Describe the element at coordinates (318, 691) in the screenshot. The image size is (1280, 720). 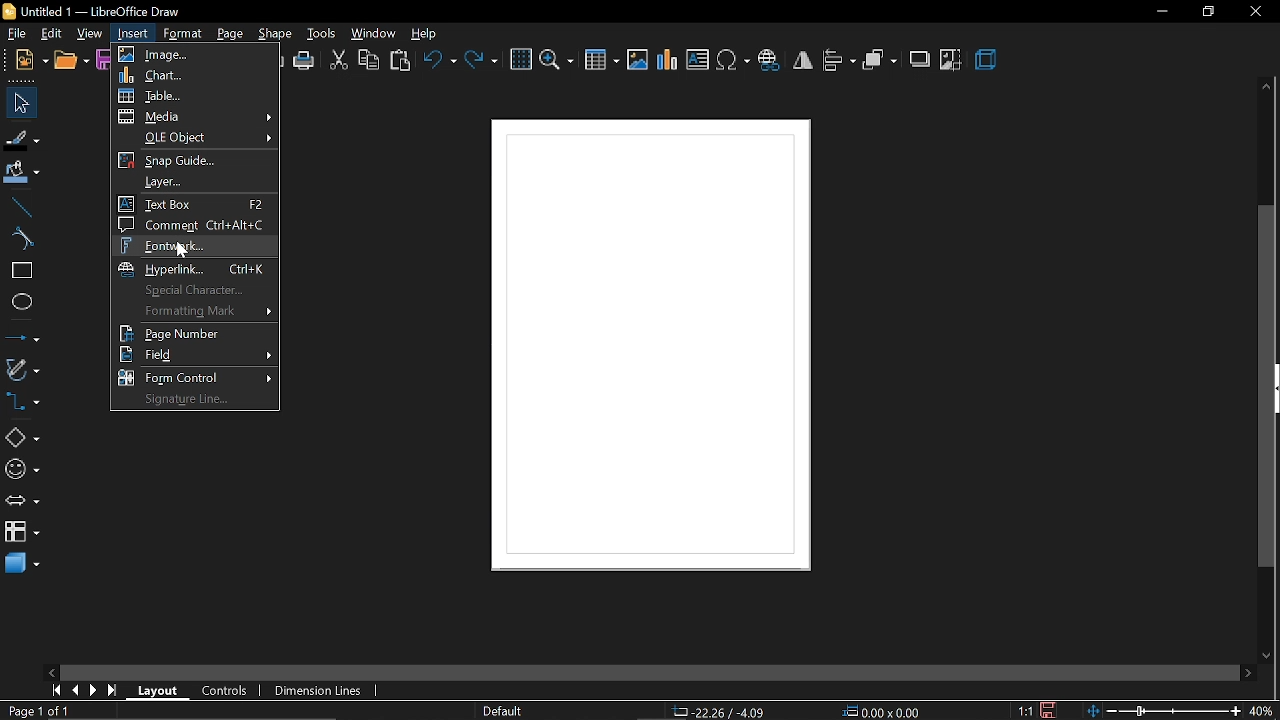
I see `dimension lines` at that location.